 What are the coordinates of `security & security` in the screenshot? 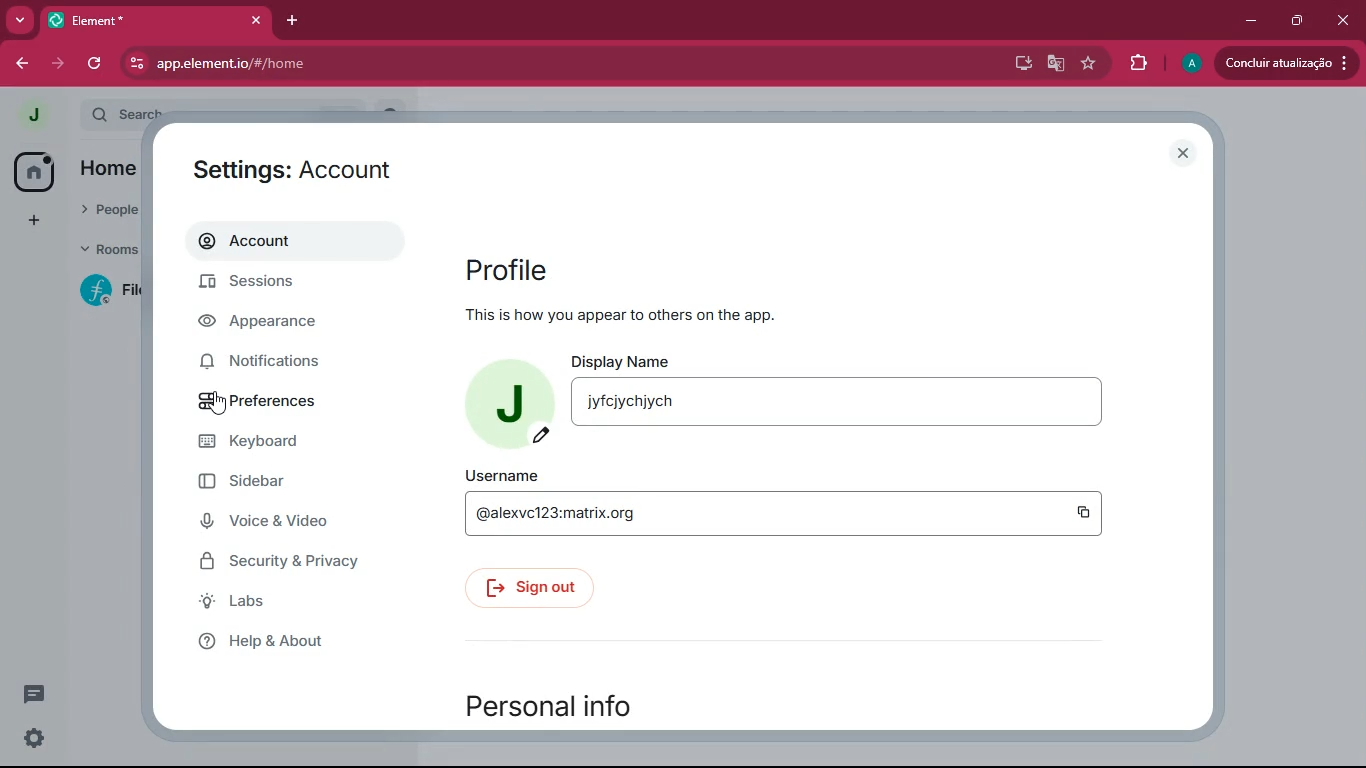 It's located at (301, 560).